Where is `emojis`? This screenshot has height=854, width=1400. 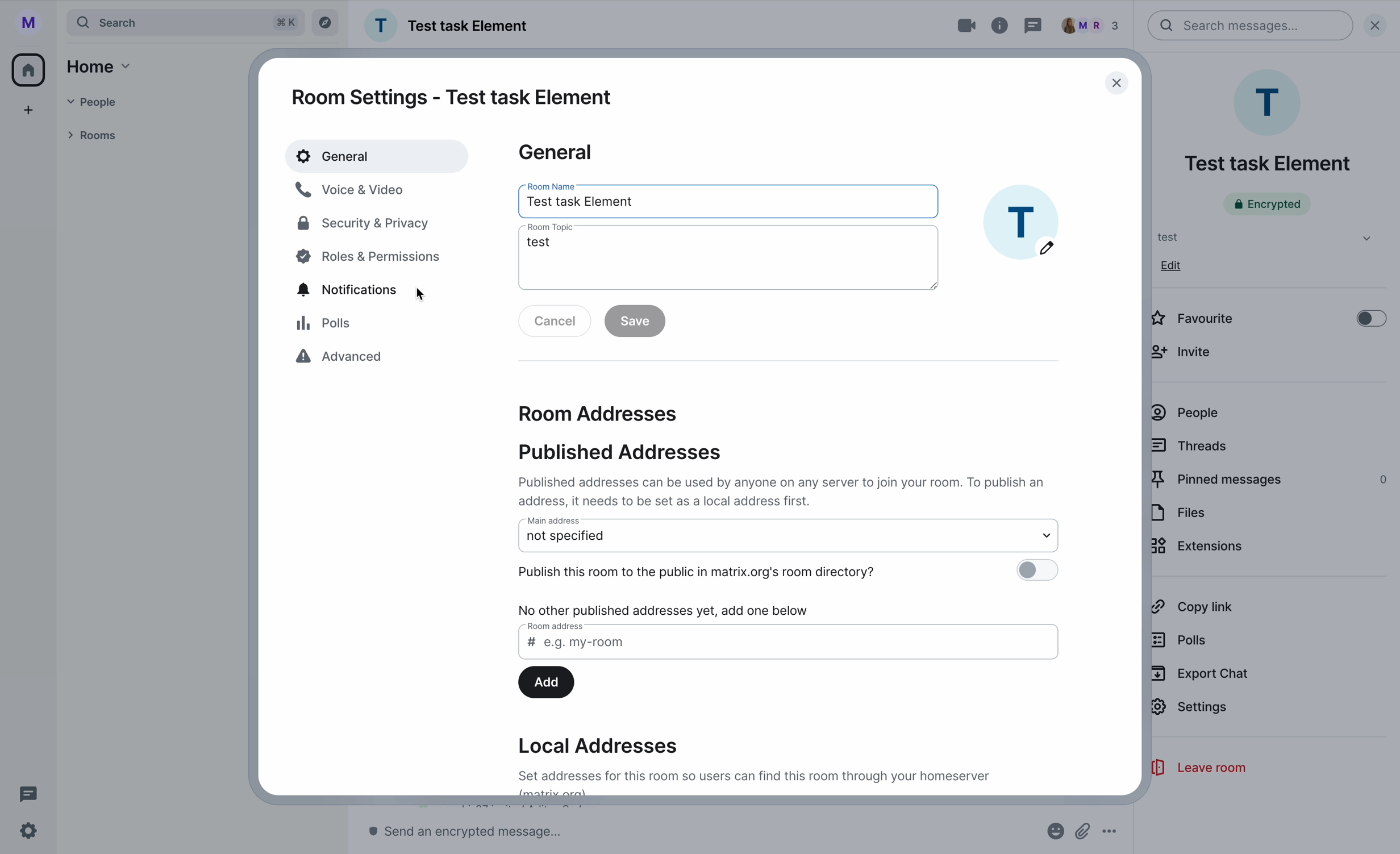 emojis is located at coordinates (1054, 832).